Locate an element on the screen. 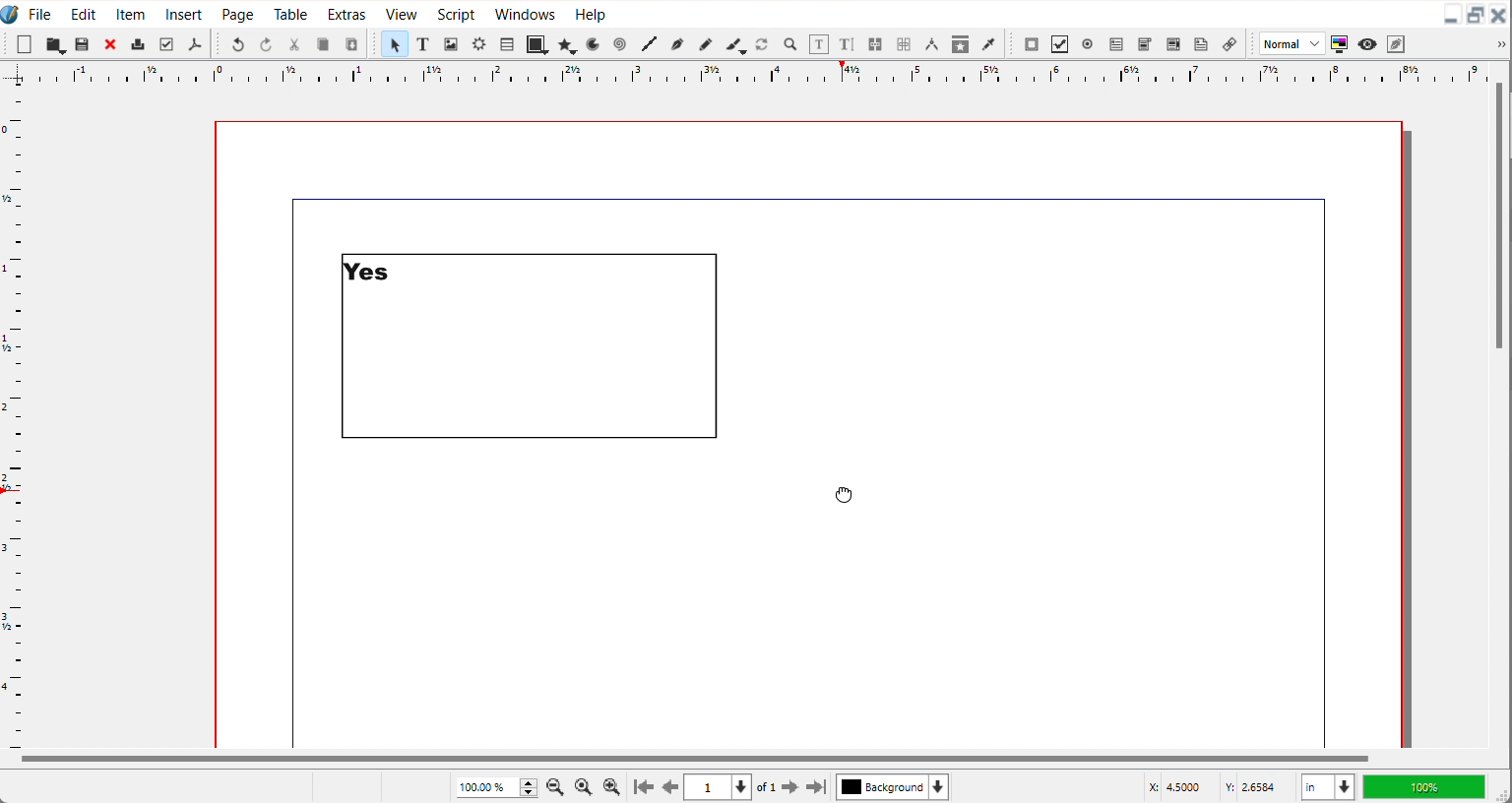  Copy item Properties is located at coordinates (961, 43).